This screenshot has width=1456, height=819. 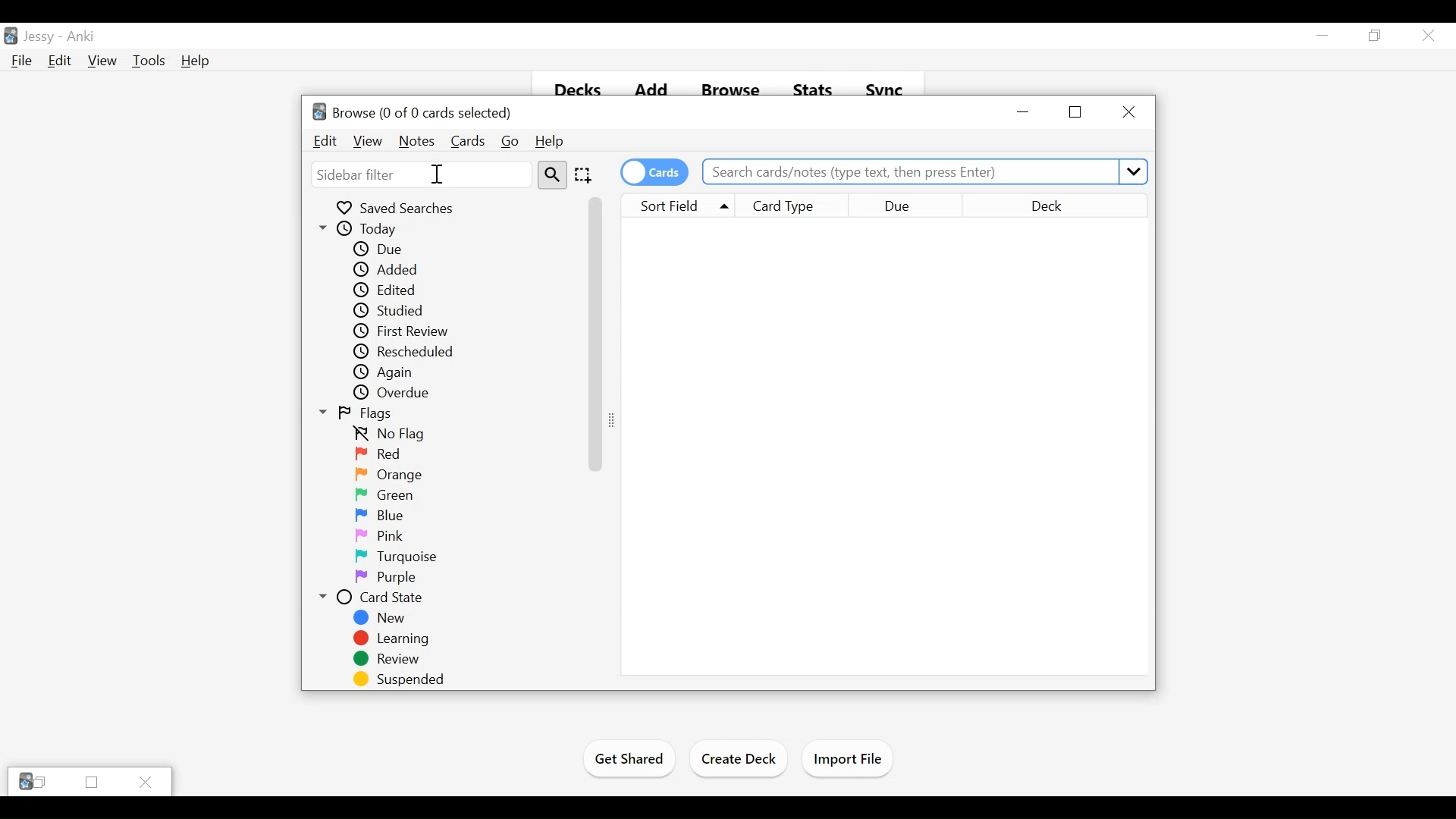 I want to click on Restore, so click(x=1075, y=111).